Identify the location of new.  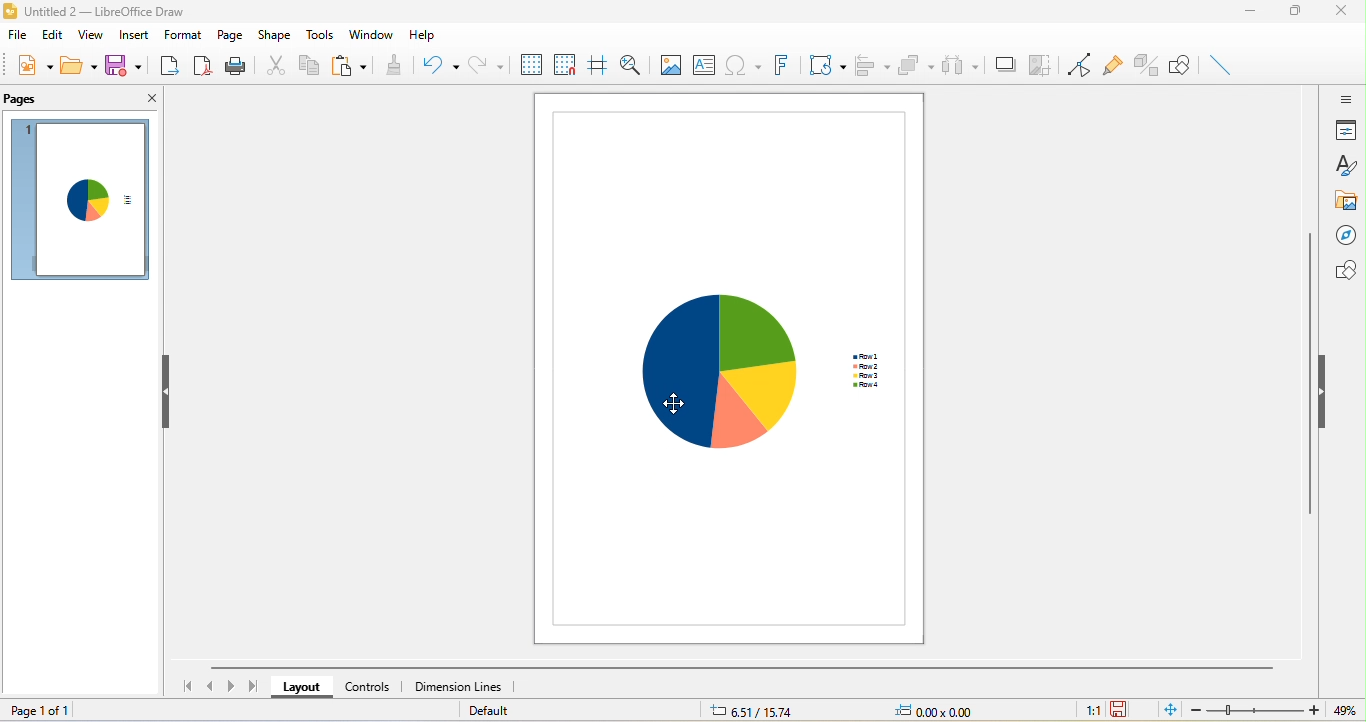
(35, 66).